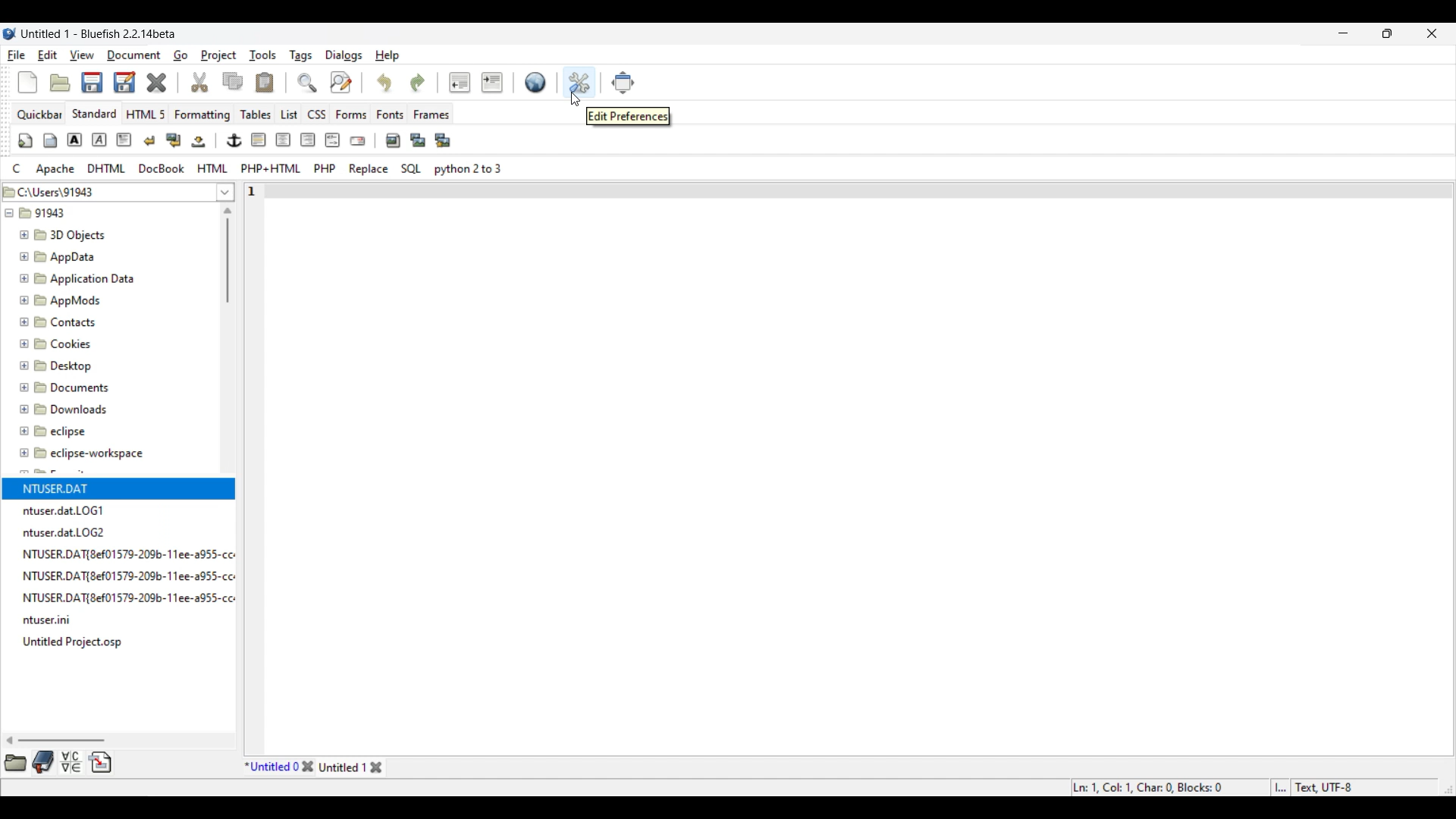 The image size is (1456, 819). I want to click on untitled project.osp, so click(76, 642).